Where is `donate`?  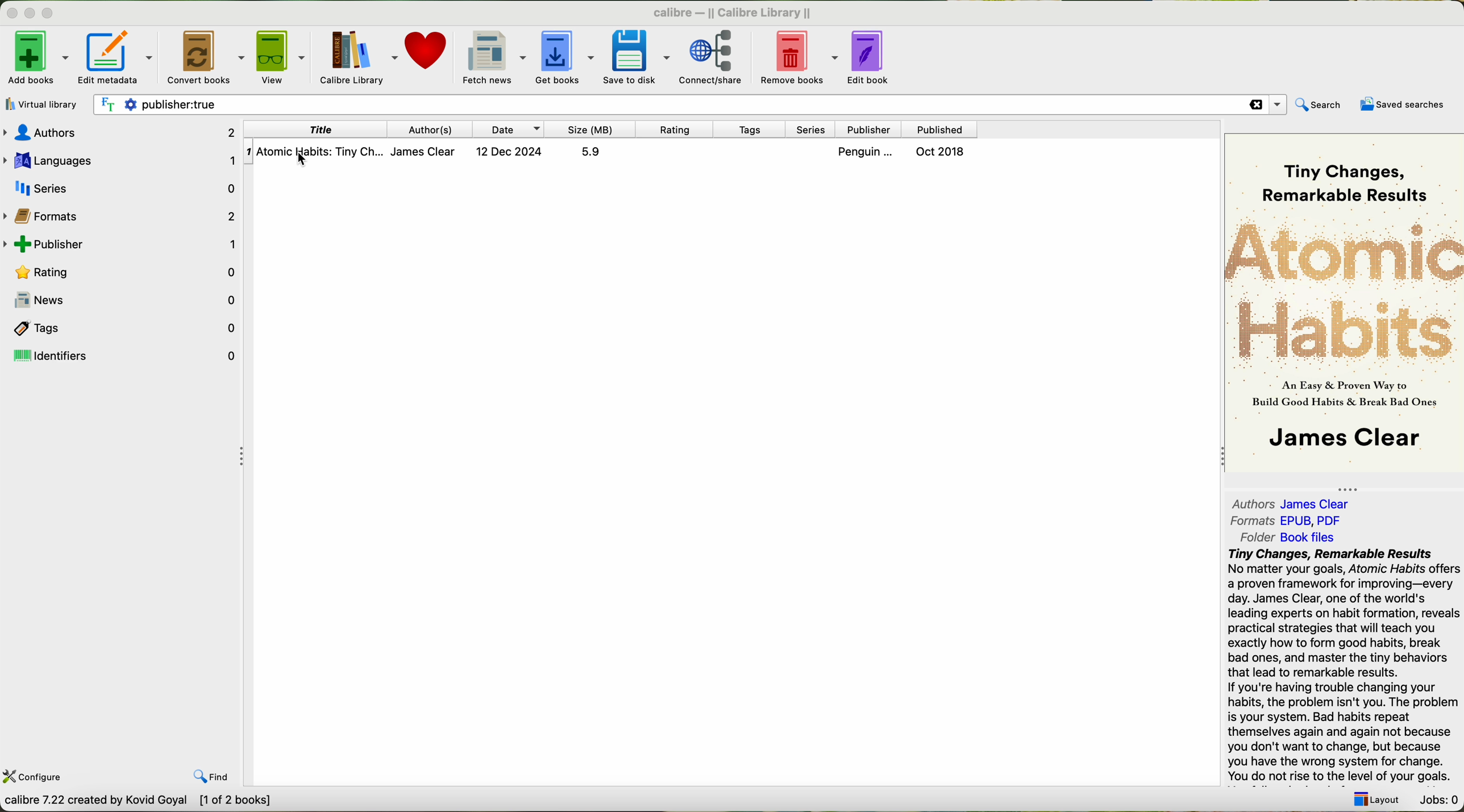 donate is located at coordinates (428, 49).